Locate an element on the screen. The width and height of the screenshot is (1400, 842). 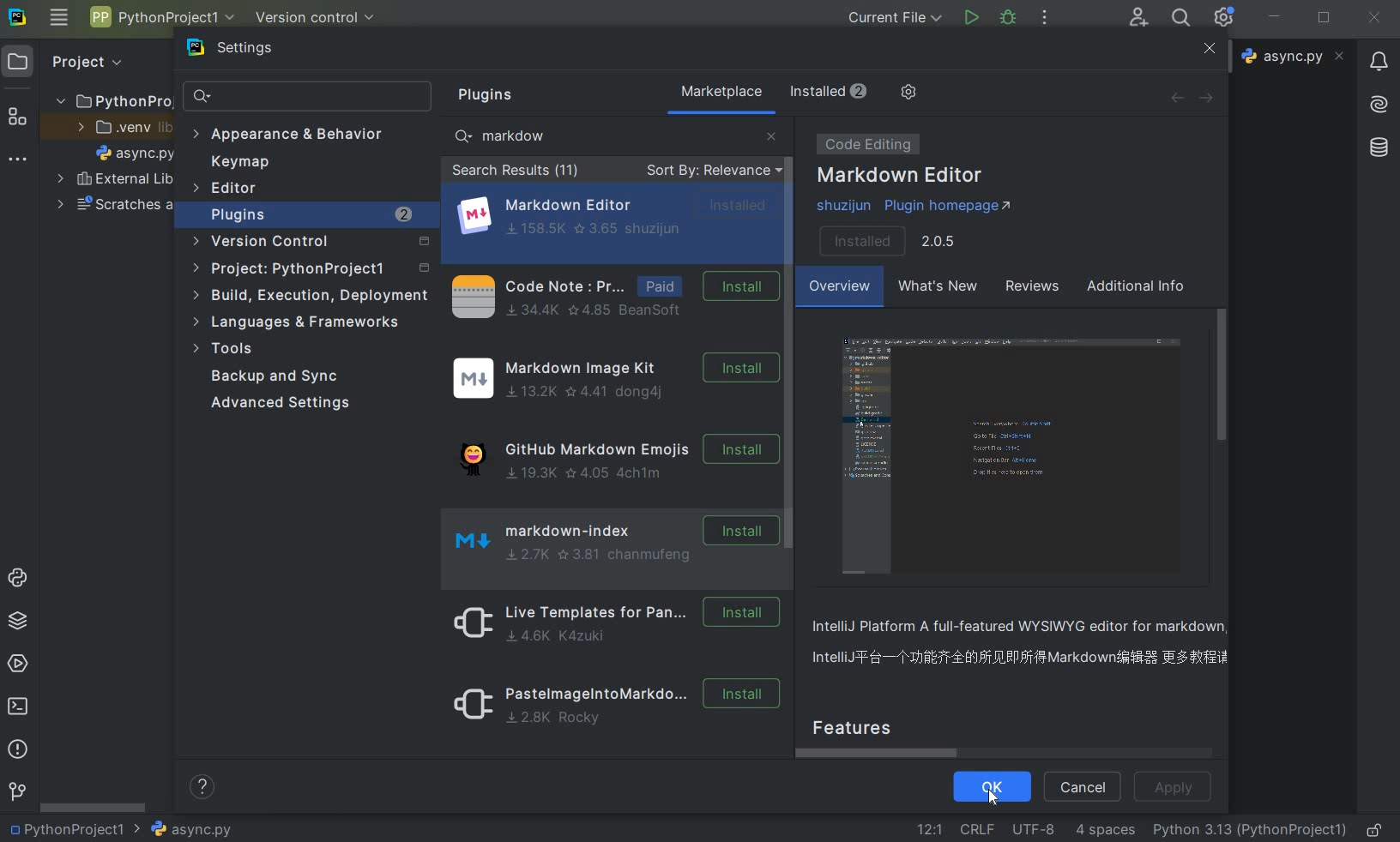
languages & frameworks is located at coordinates (305, 322).